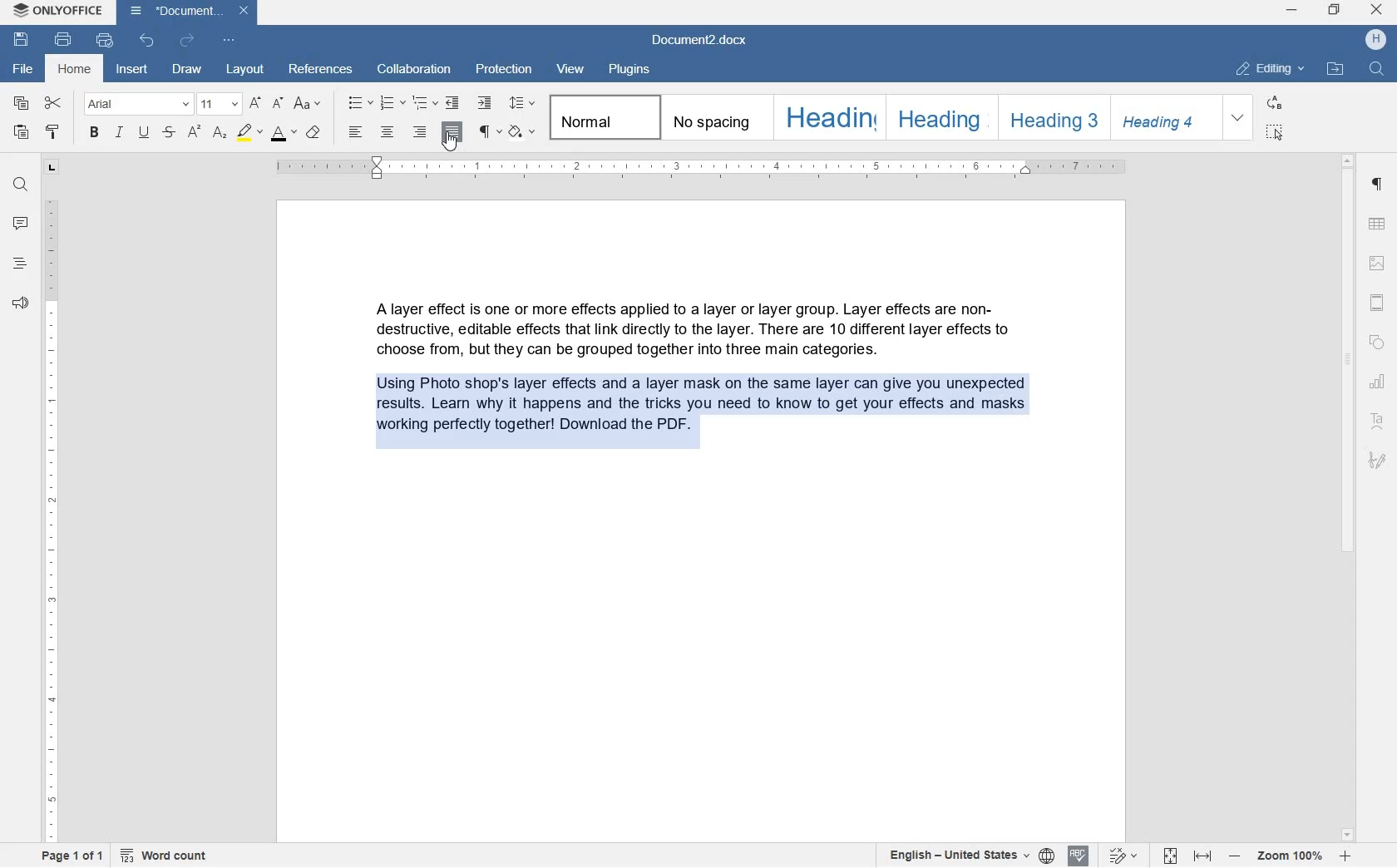 This screenshot has height=868, width=1397. What do you see at coordinates (231, 40) in the screenshot?
I see `CUSTOMIZE QUICK ACCESS TOOLBAR` at bounding box center [231, 40].